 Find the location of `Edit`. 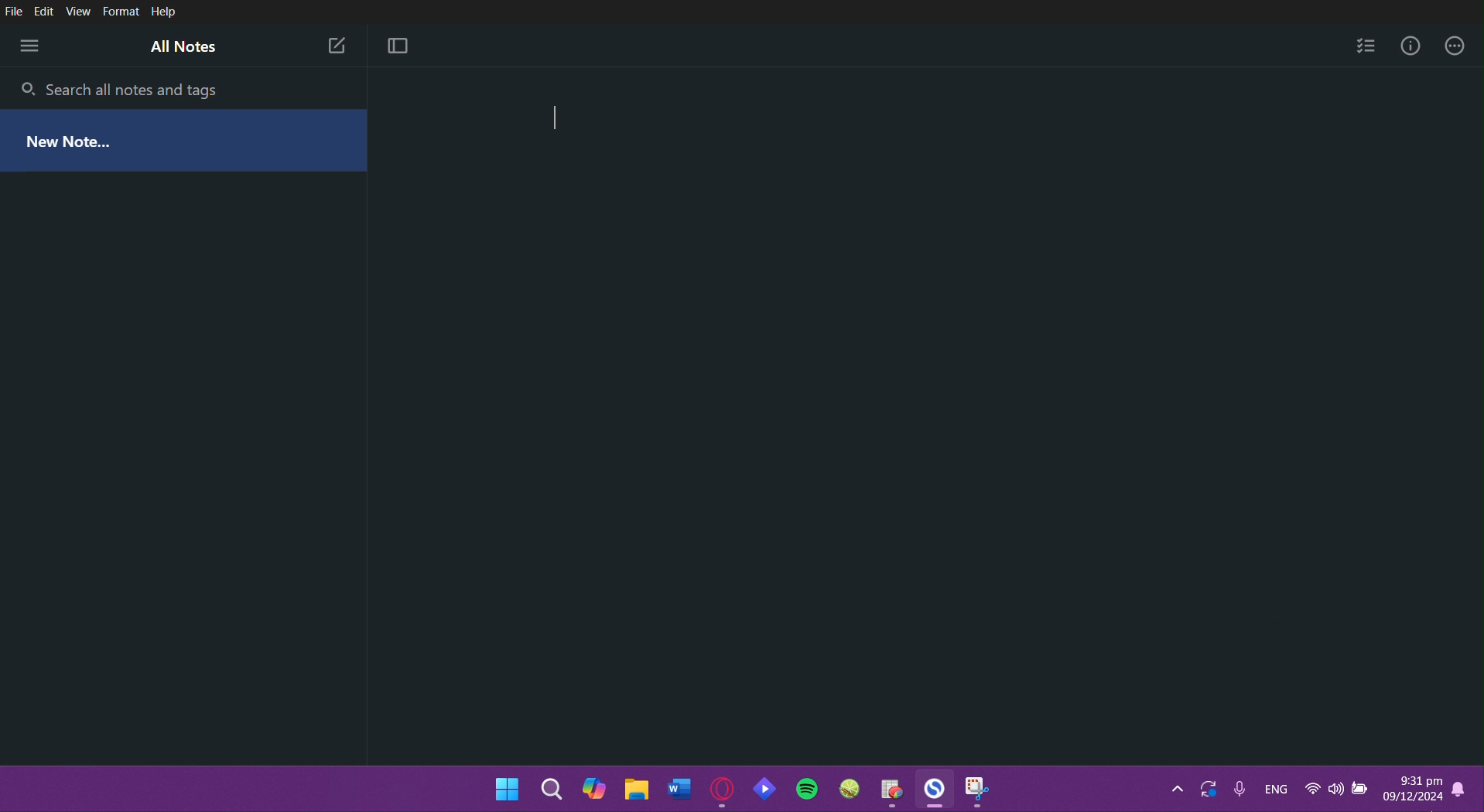

Edit is located at coordinates (47, 12).